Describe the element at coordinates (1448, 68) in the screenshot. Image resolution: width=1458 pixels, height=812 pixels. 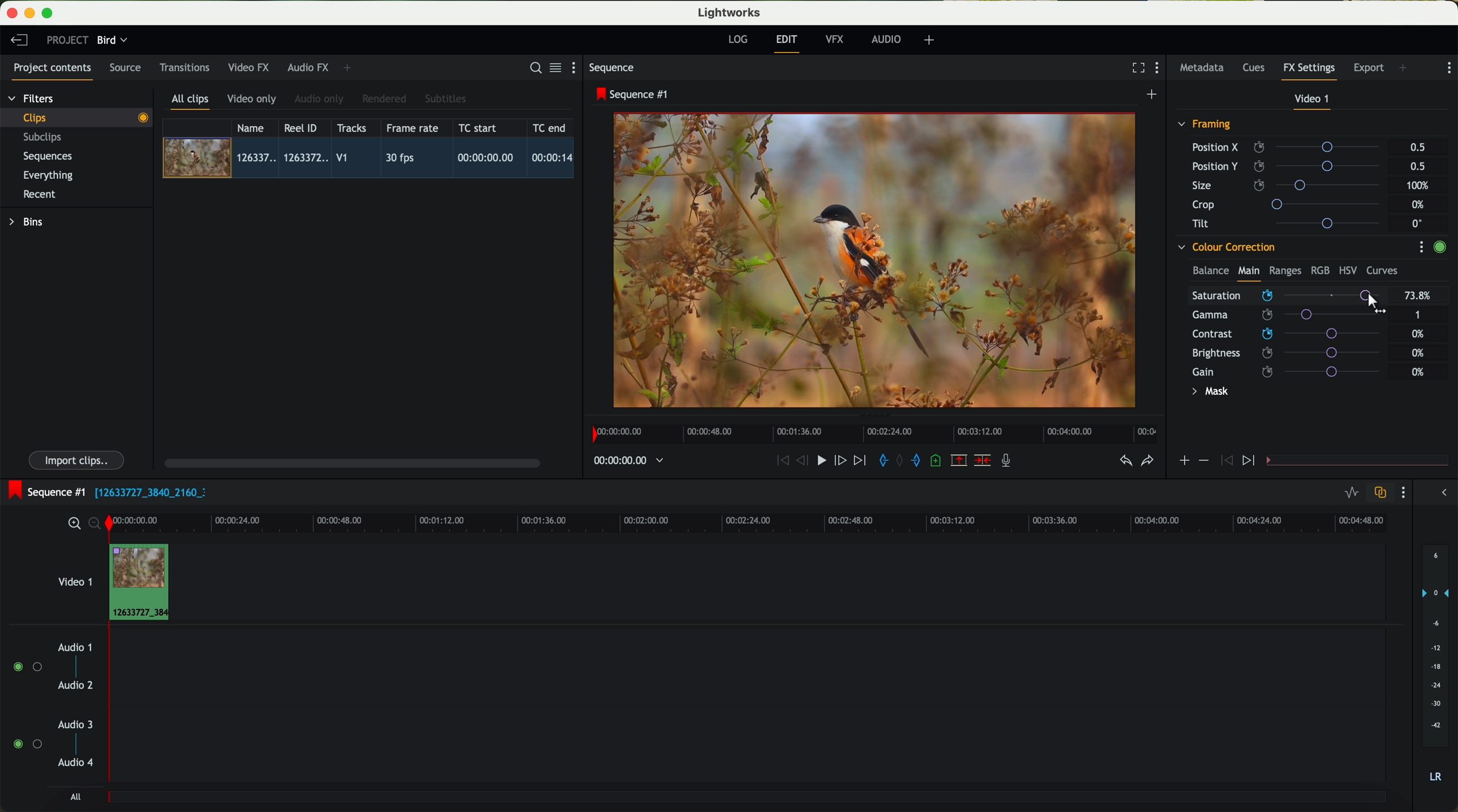
I see `show settings menu` at that location.